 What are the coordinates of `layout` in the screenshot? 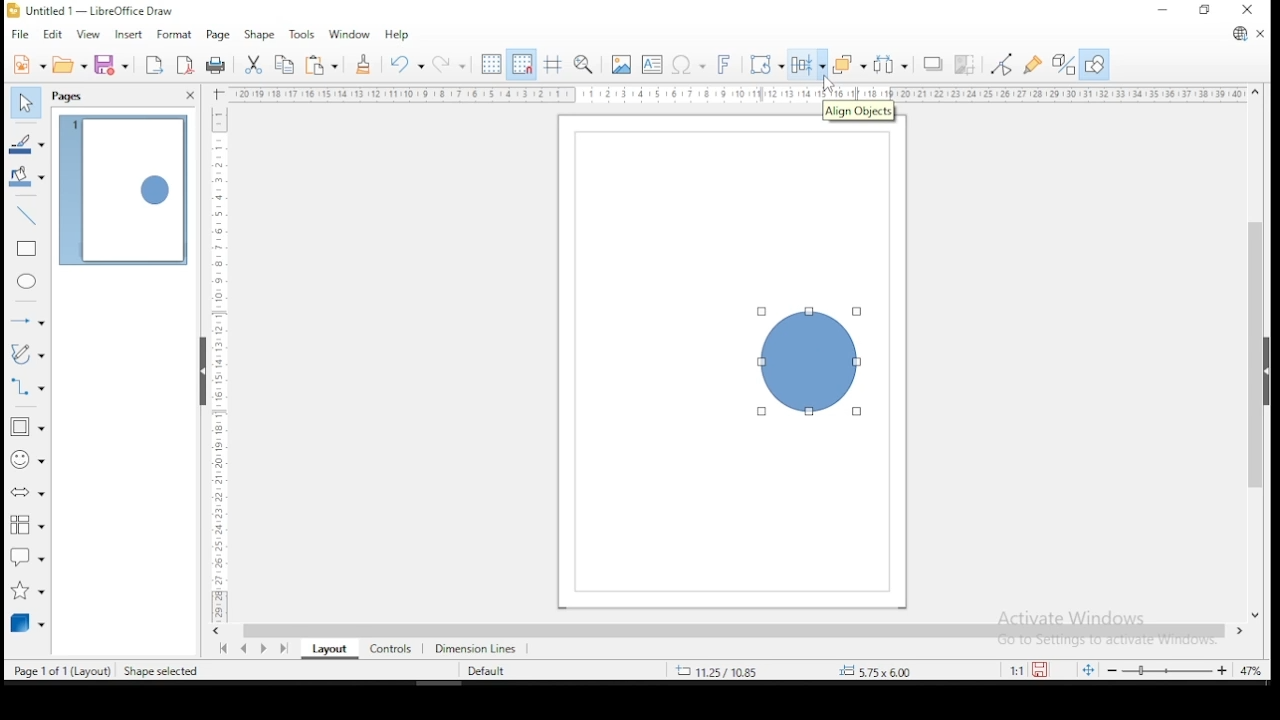 It's located at (326, 649).